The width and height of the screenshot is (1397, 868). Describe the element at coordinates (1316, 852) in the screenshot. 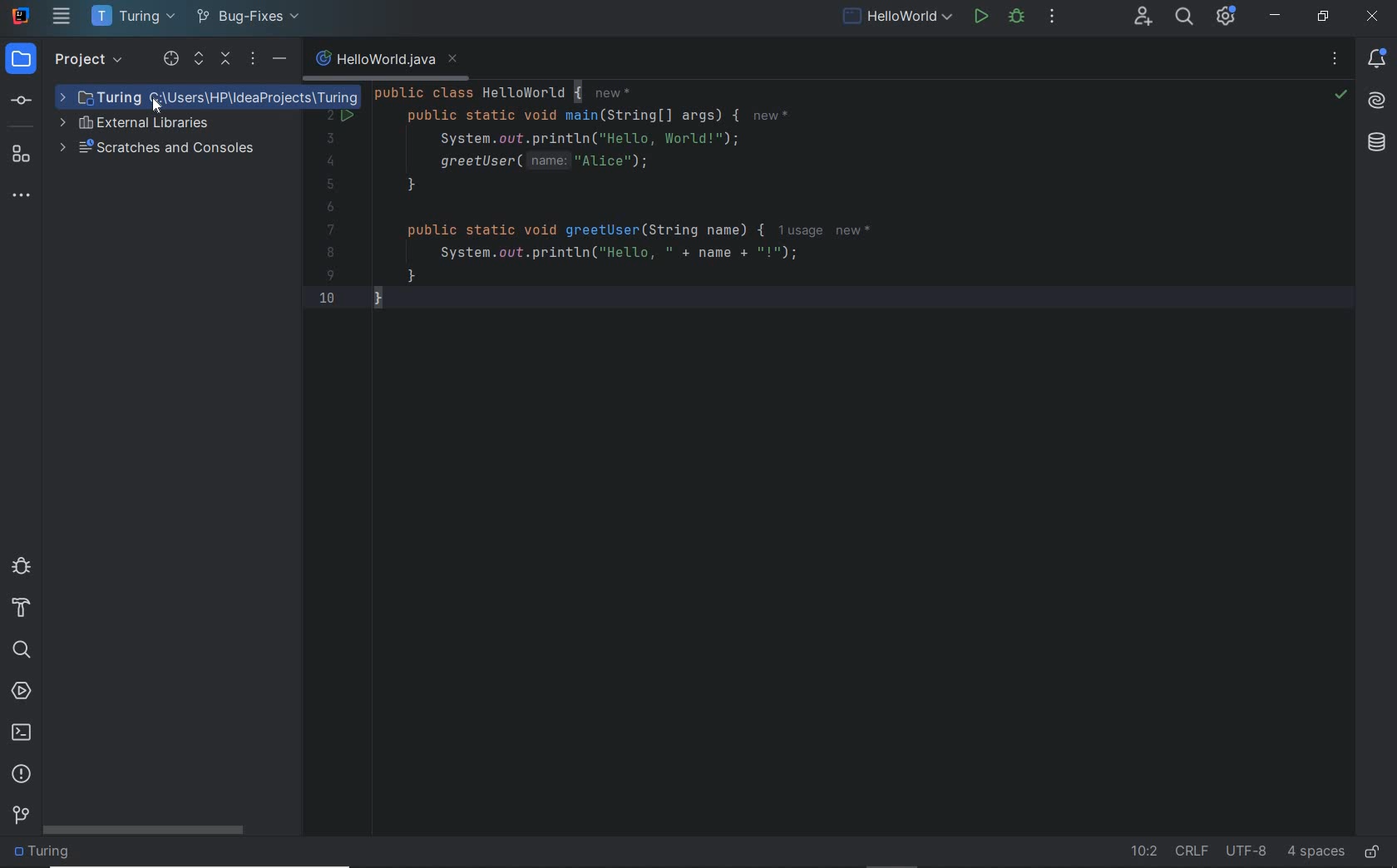

I see `indent` at that location.